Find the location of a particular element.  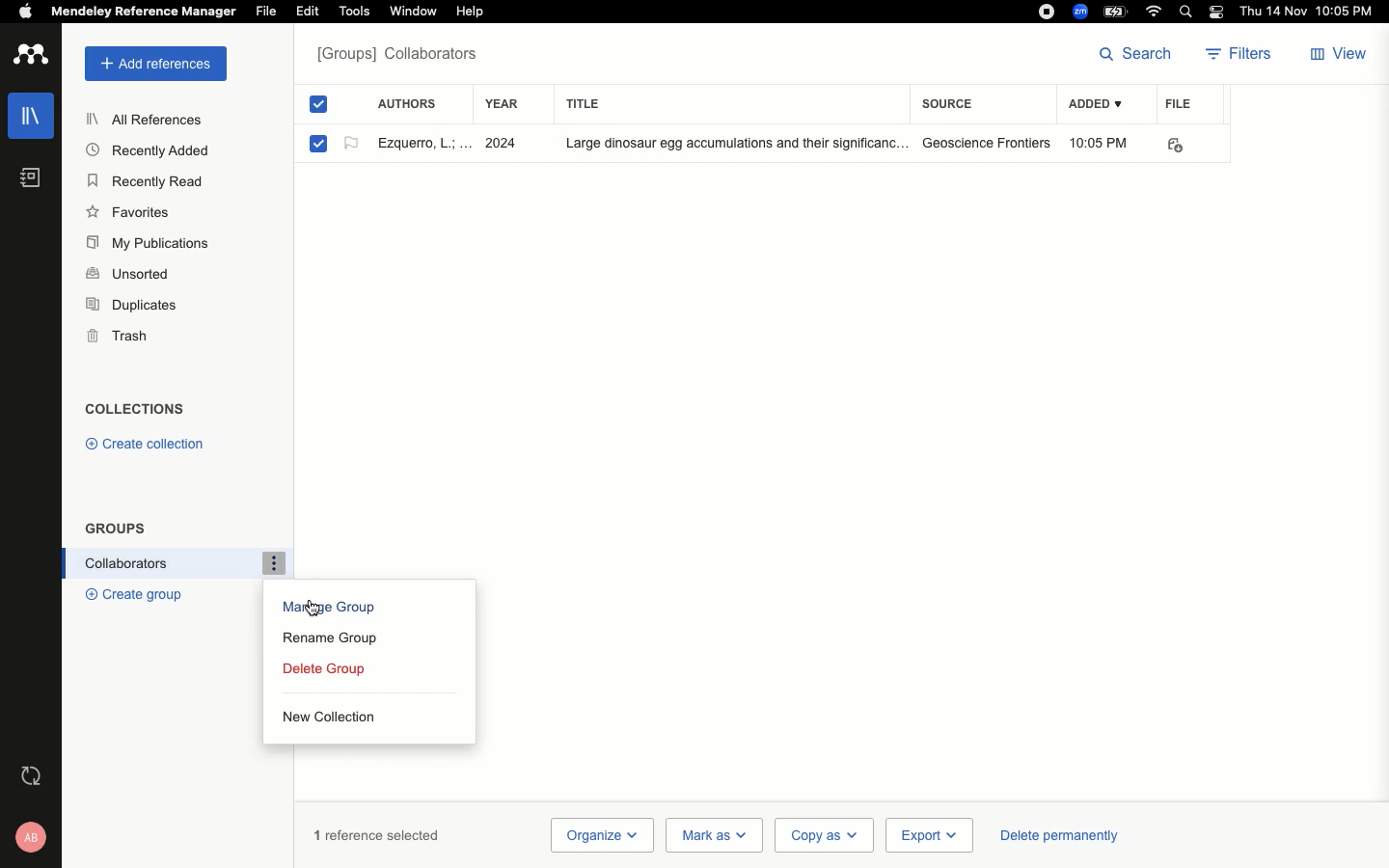

Manage group is located at coordinates (329, 611).